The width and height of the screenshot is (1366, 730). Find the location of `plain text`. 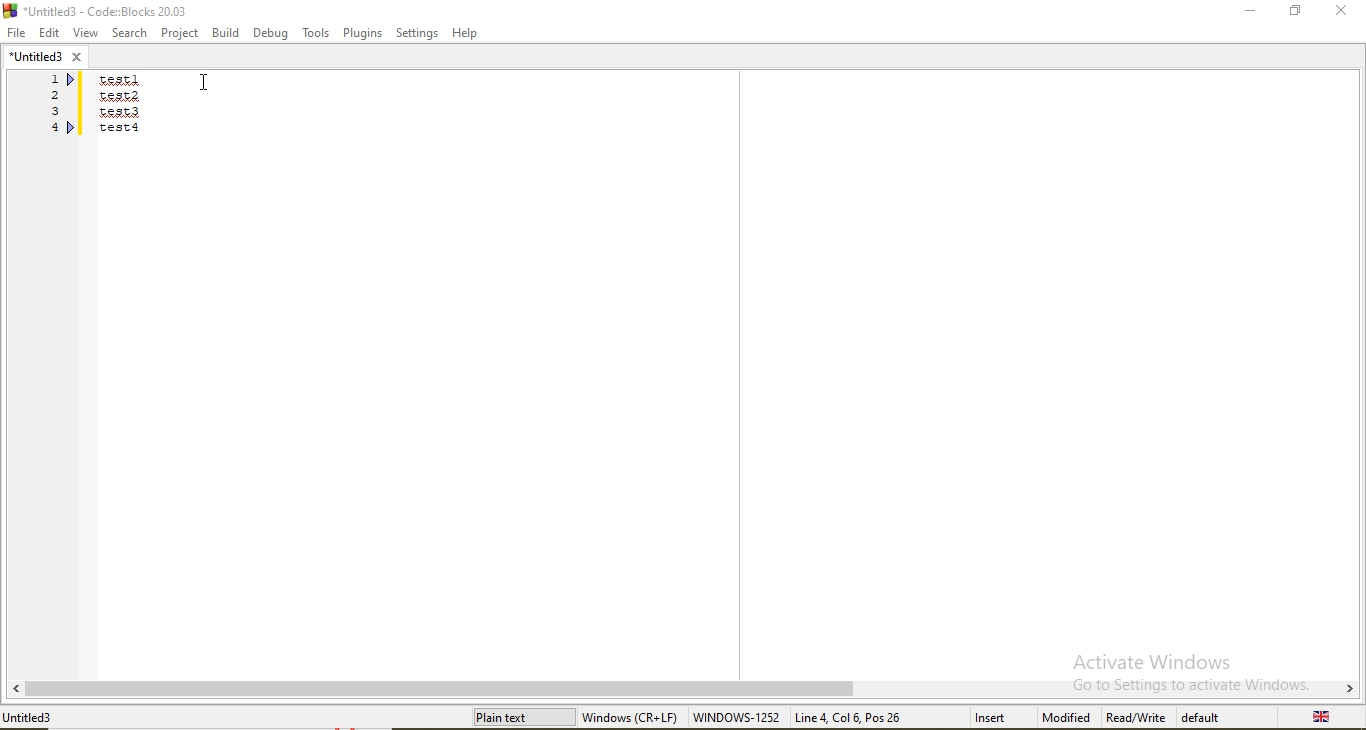

plain text is located at coordinates (522, 717).